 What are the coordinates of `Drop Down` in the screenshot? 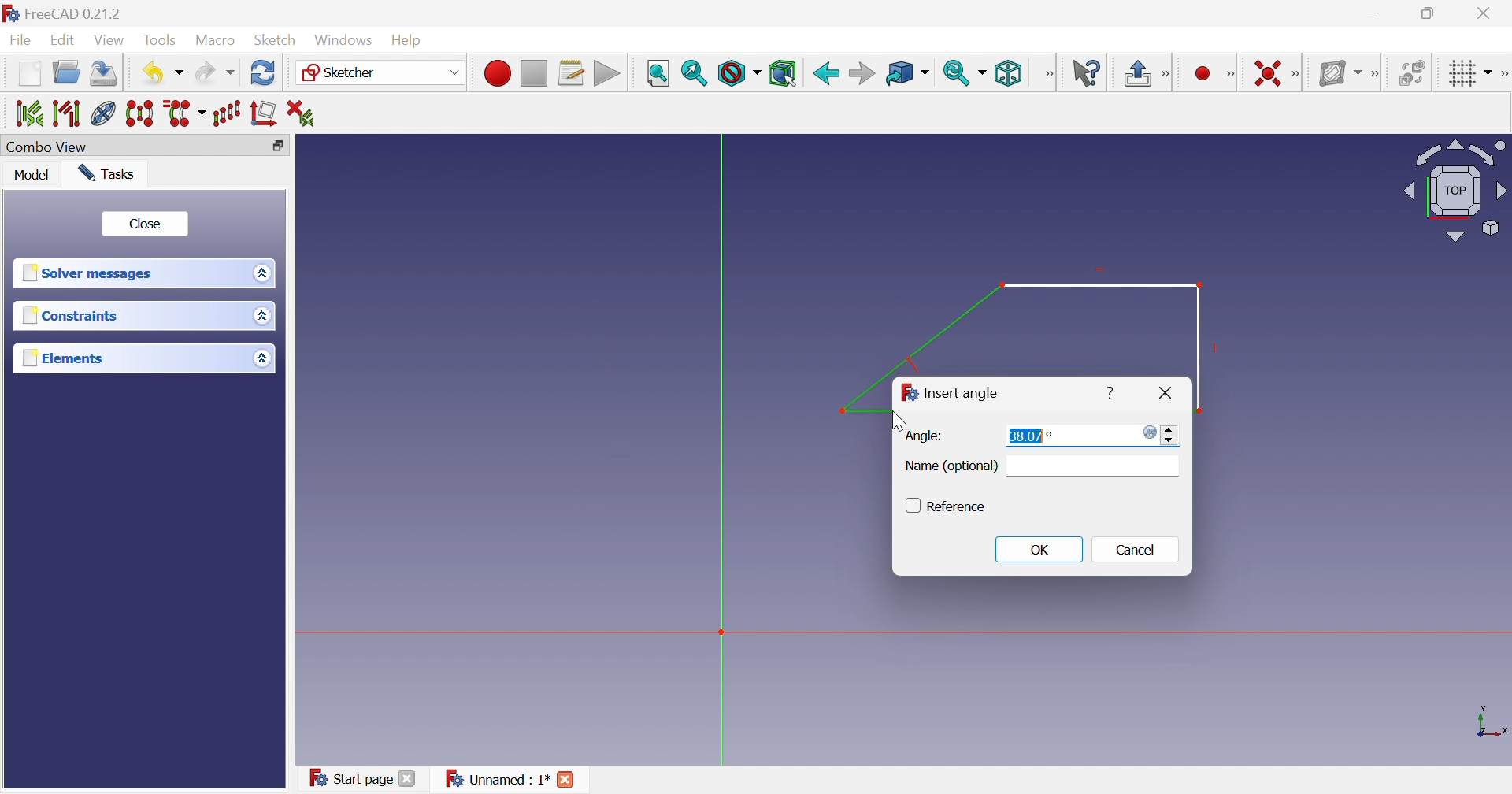 It's located at (1489, 70).